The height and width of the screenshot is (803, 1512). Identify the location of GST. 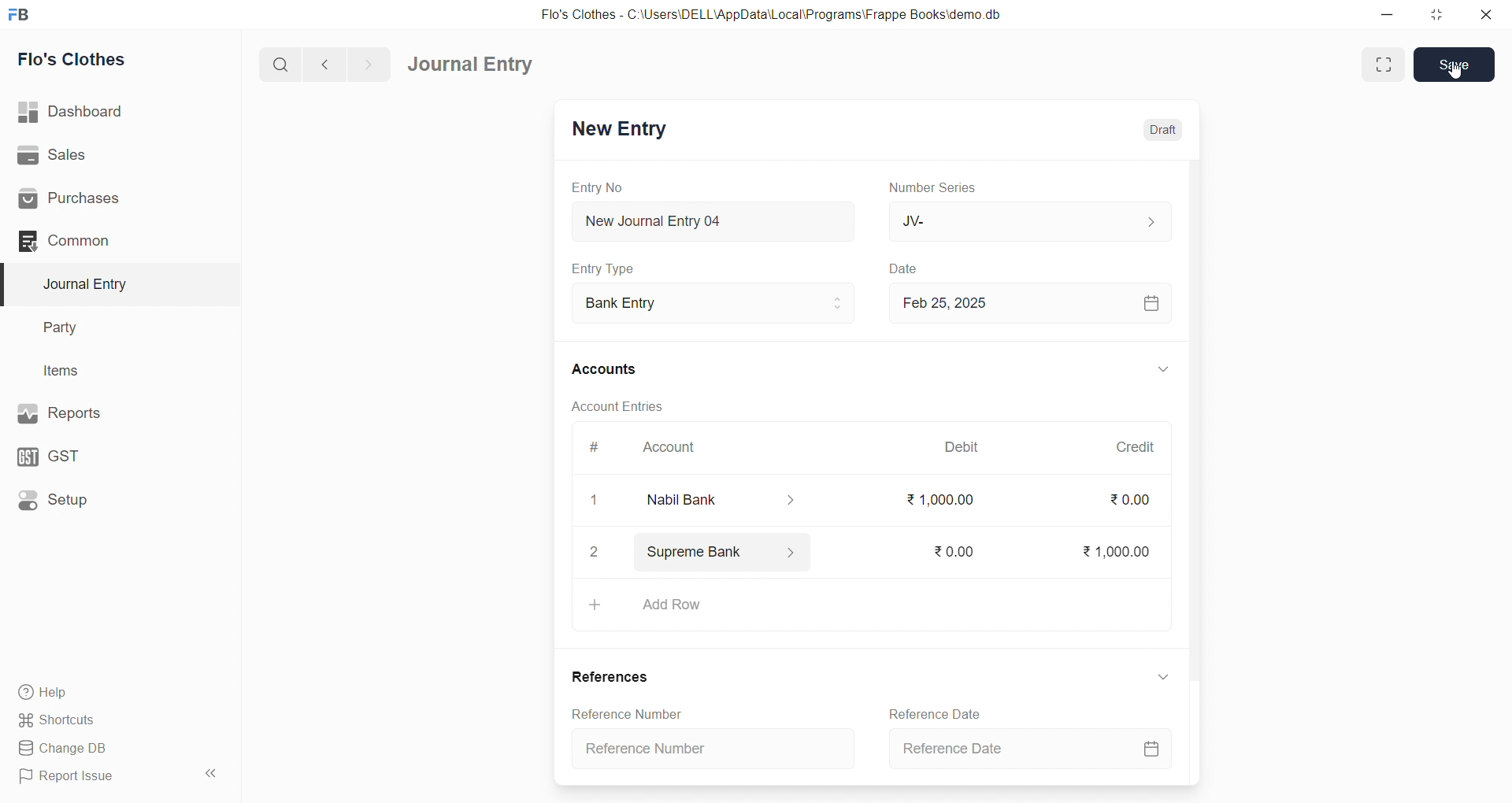
(109, 453).